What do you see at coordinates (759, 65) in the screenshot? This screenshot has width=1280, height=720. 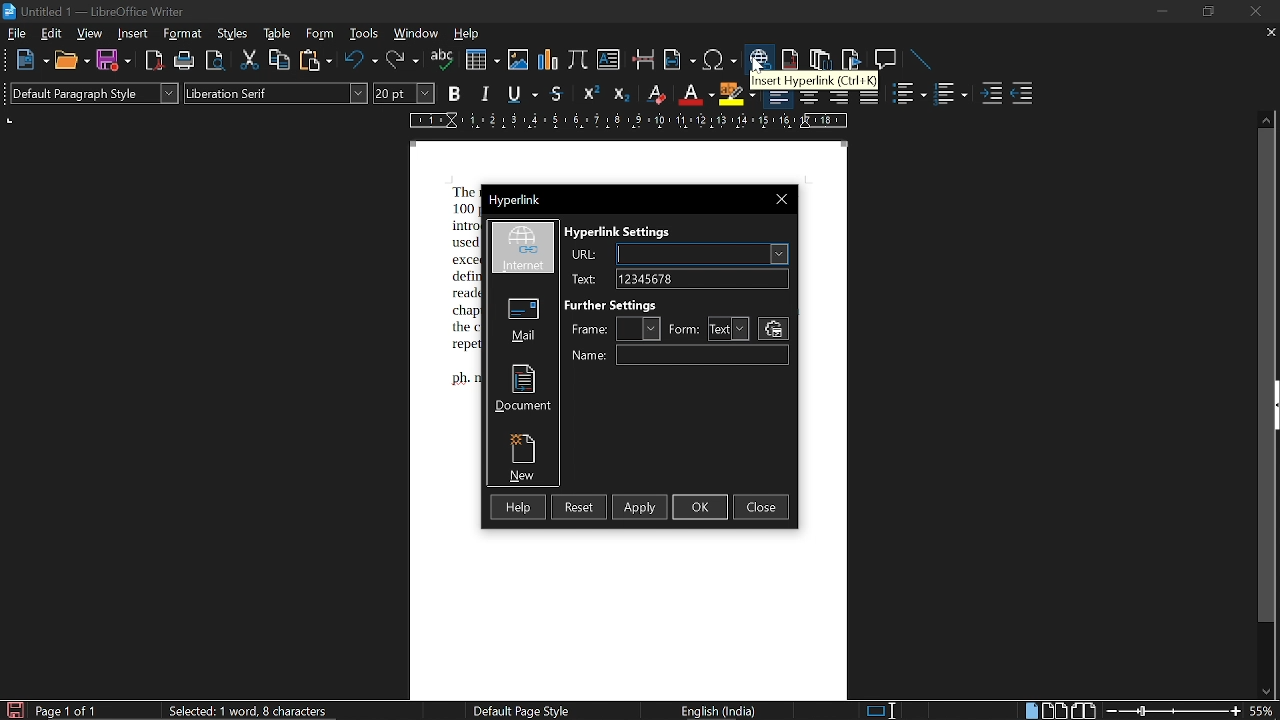 I see `cursor` at bounding box center [759, 65].